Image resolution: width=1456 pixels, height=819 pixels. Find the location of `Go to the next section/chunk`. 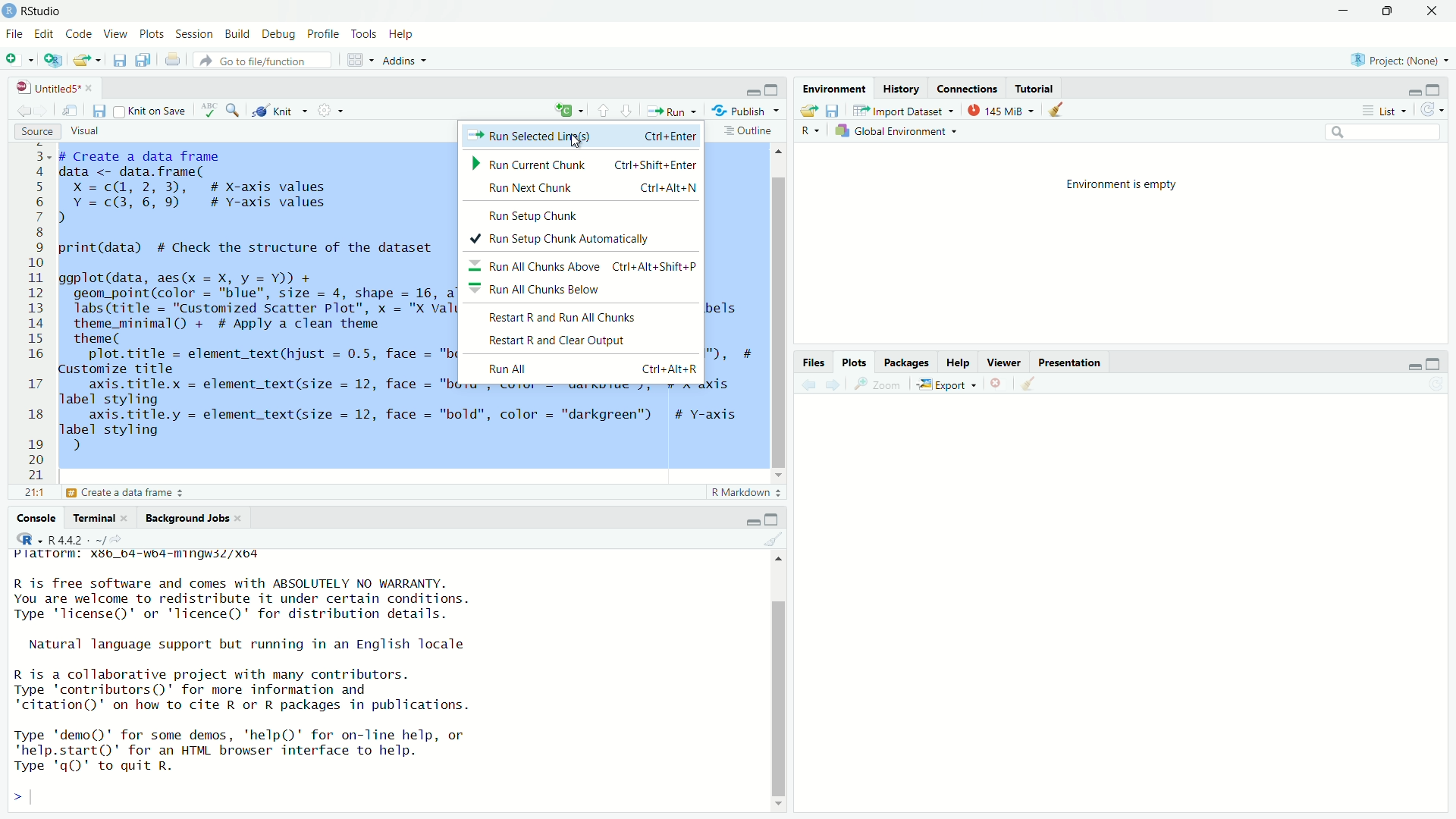

Go to the next section/chunk is located at coordinates (626, 110).